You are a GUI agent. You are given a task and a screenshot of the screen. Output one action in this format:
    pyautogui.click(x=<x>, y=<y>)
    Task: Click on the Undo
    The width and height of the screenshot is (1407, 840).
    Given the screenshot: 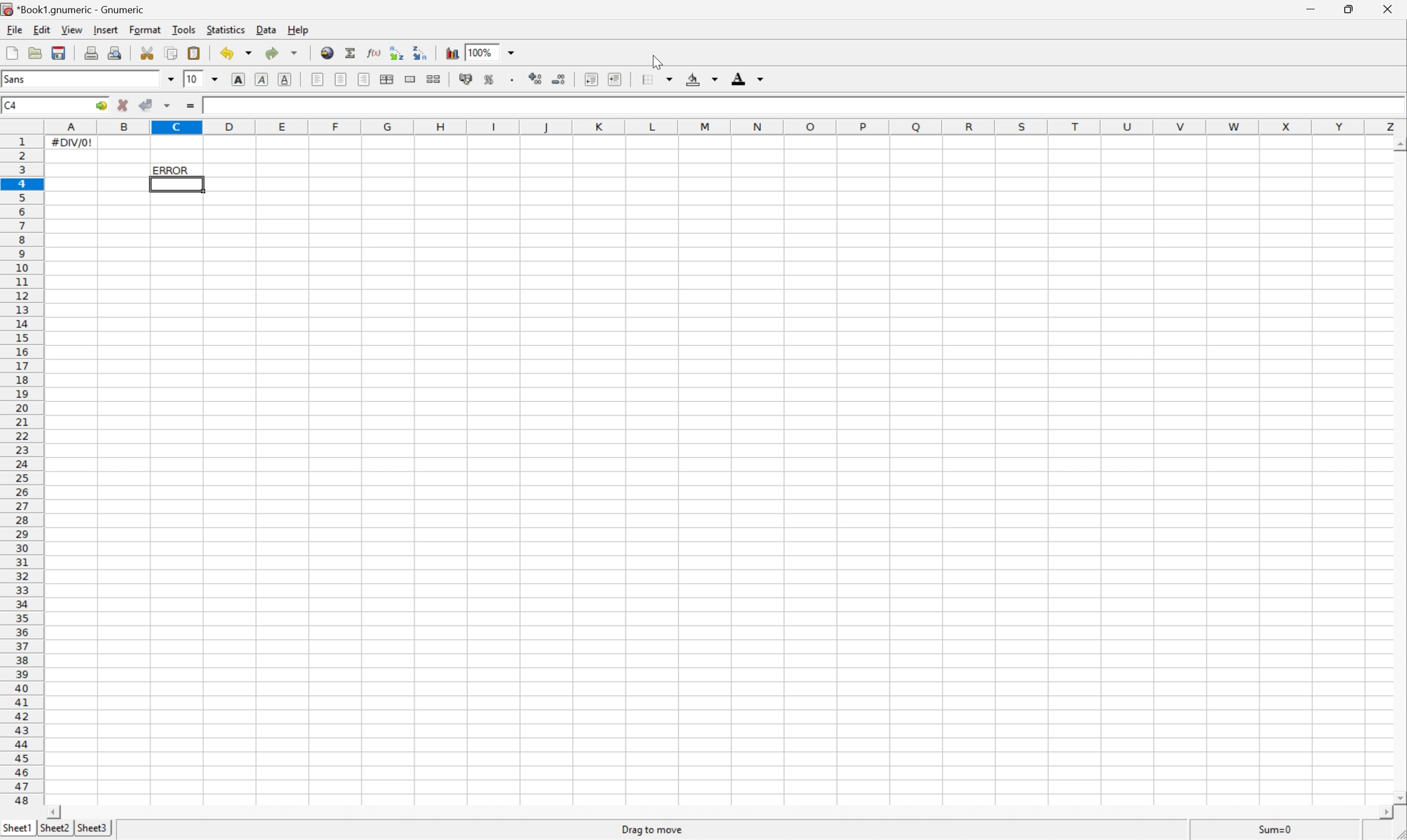 What is the action you would take?
    pyautogui.click(x=226, y=54)
    